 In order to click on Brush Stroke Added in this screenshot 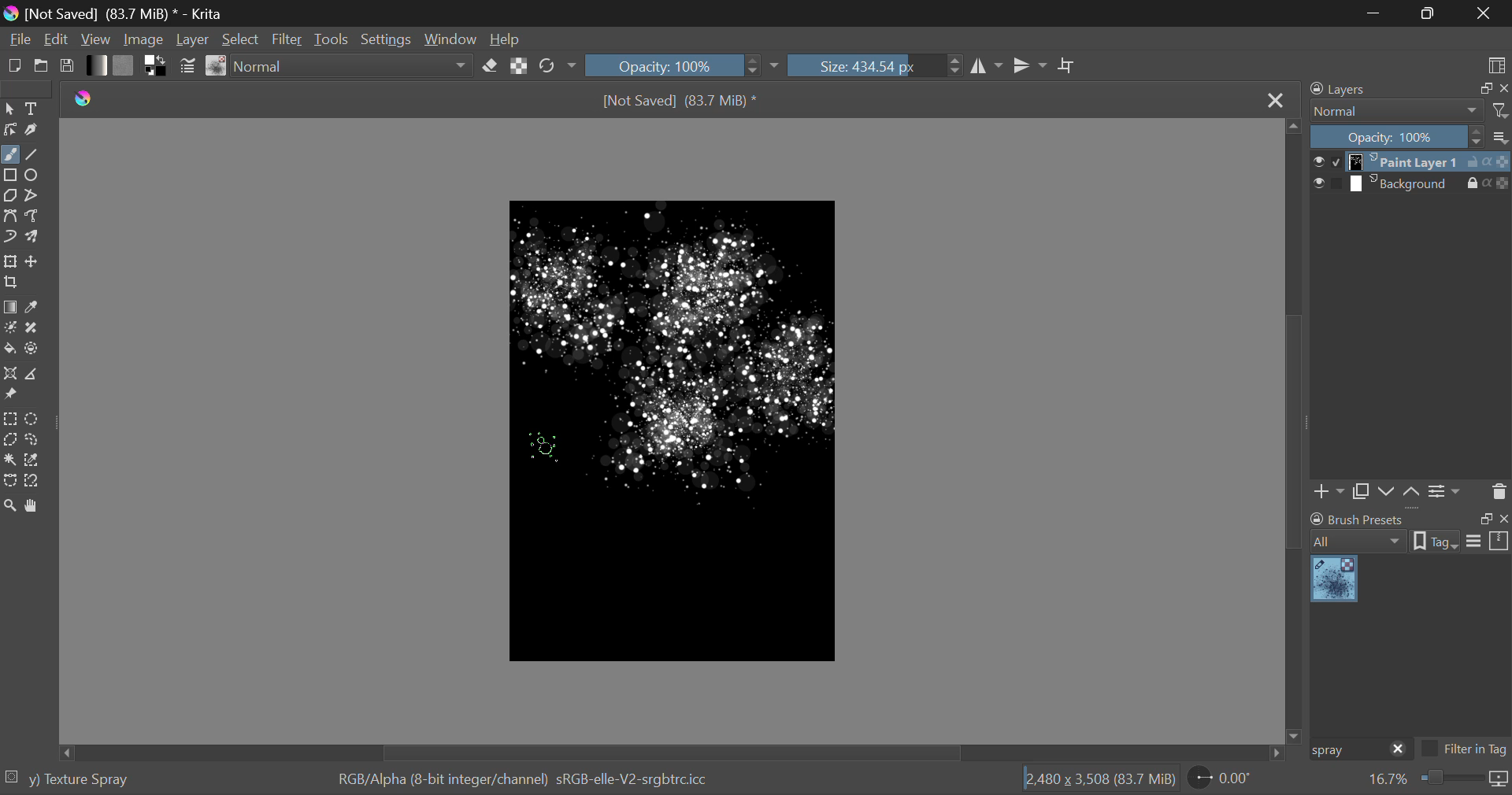, I will do `click(681, 435)`.